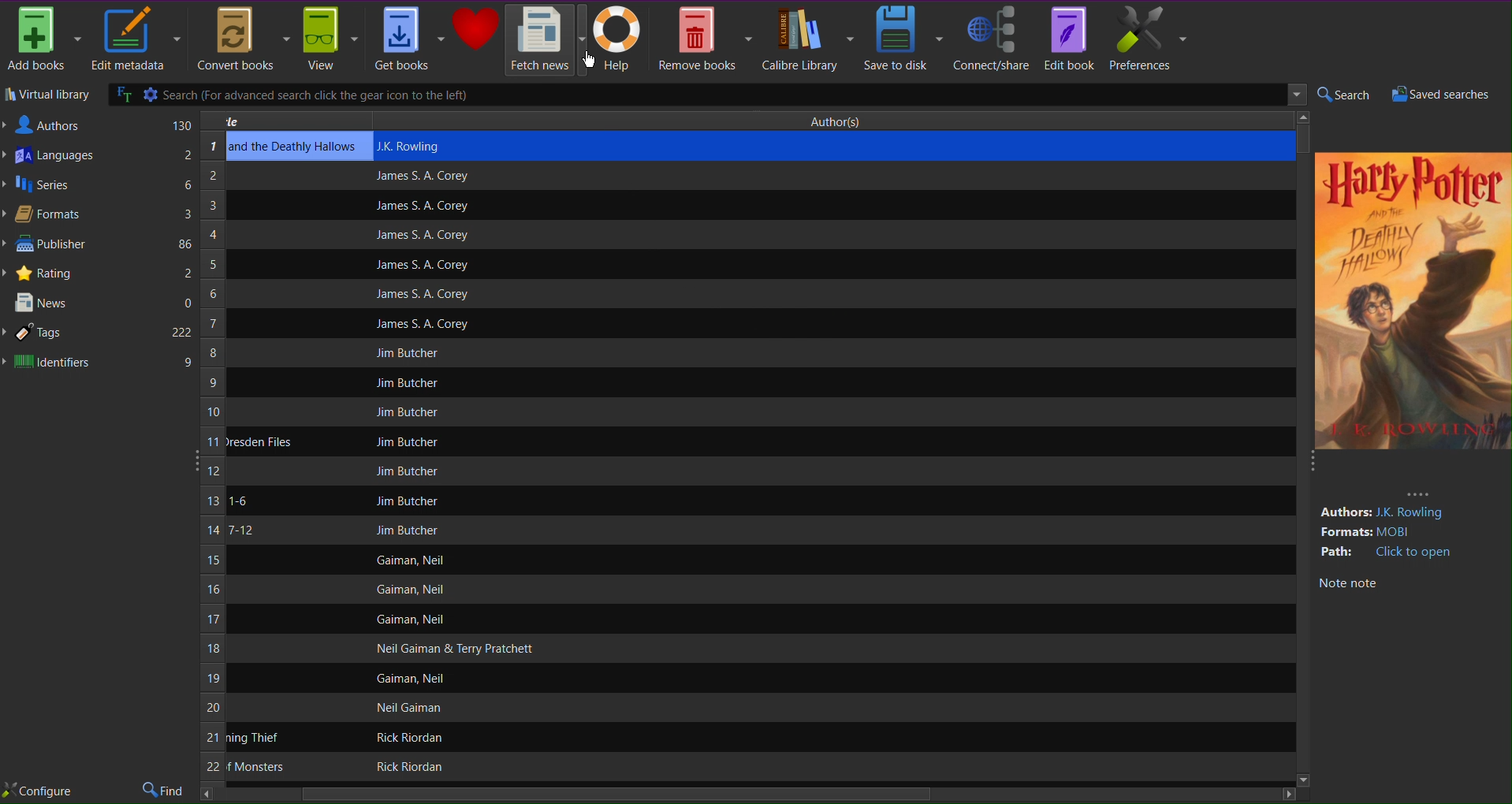  Describe the element at coordinates (749, 795) in the screenshot. I see `Scrollbar` at that location.